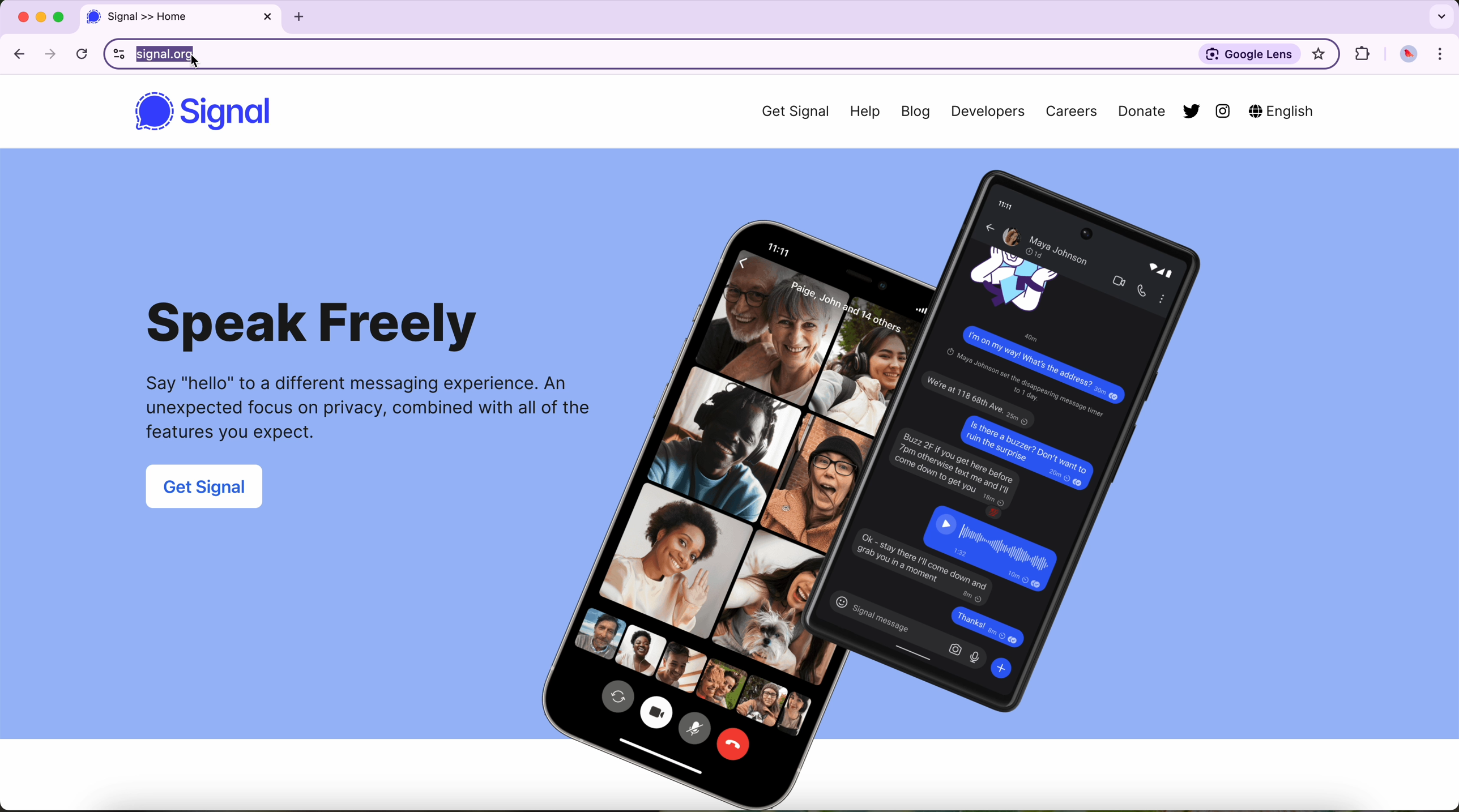 Image resolution: width=1459 pixels, height=812 pixels. What do you see at coordinates (194, 62) in the screenshot?
I see `cursor` at bounding box center [194, 62].